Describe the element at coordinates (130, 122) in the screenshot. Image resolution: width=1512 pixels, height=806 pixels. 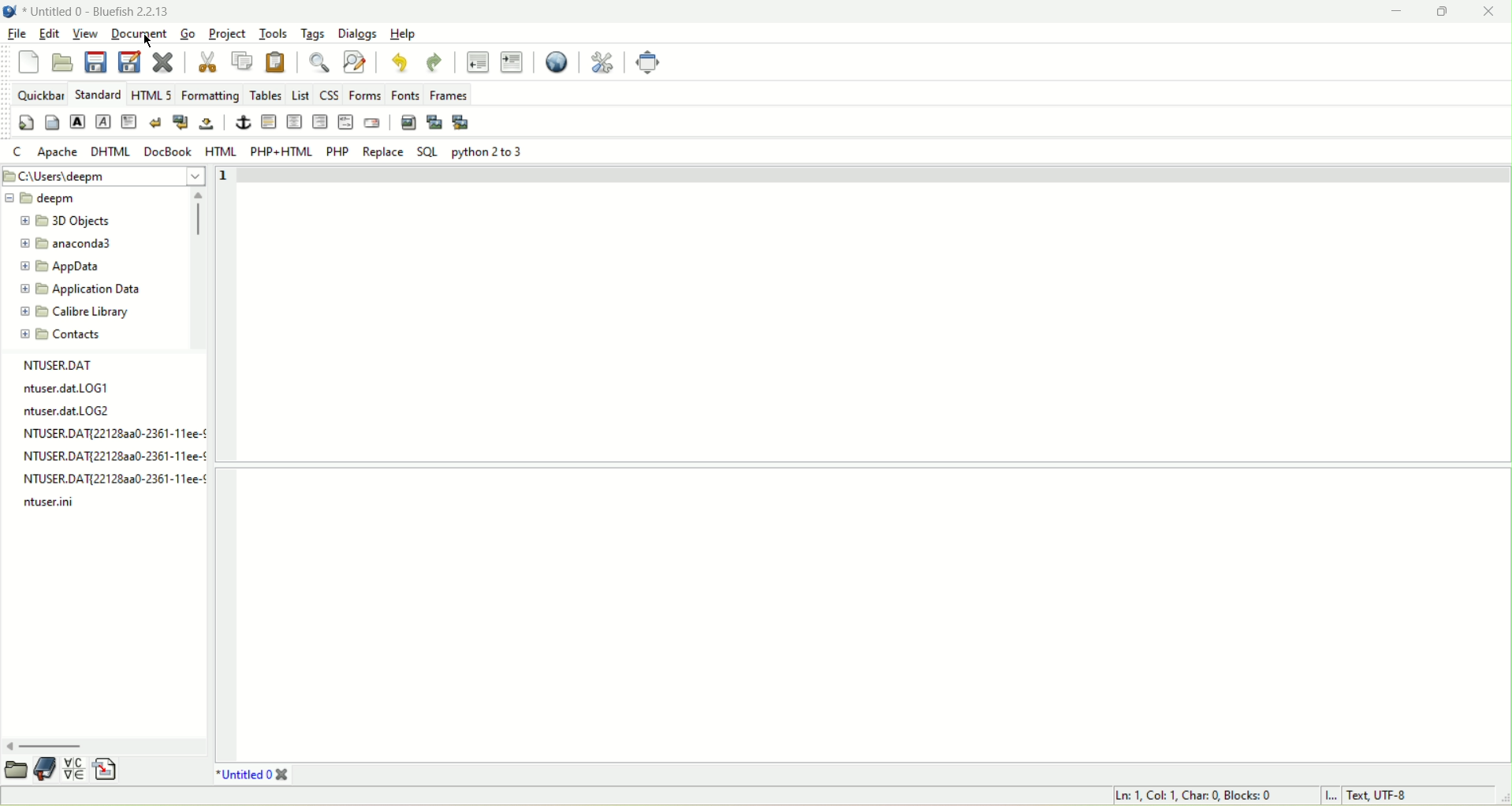
I see `paragraph` at that location.